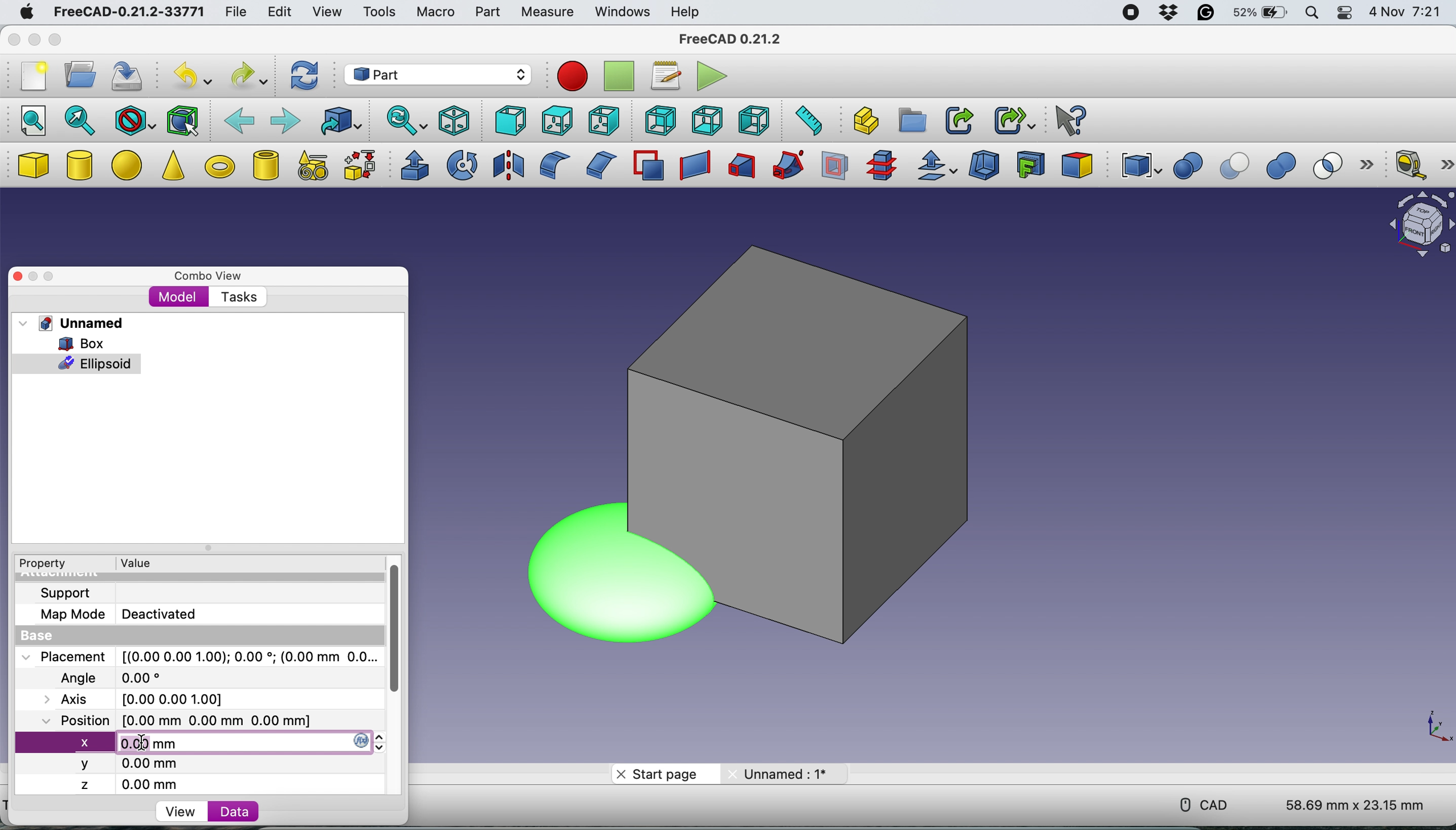  Describe the element at coordinates (183, 120) in the screenshot. I see `bounding box` at that location.